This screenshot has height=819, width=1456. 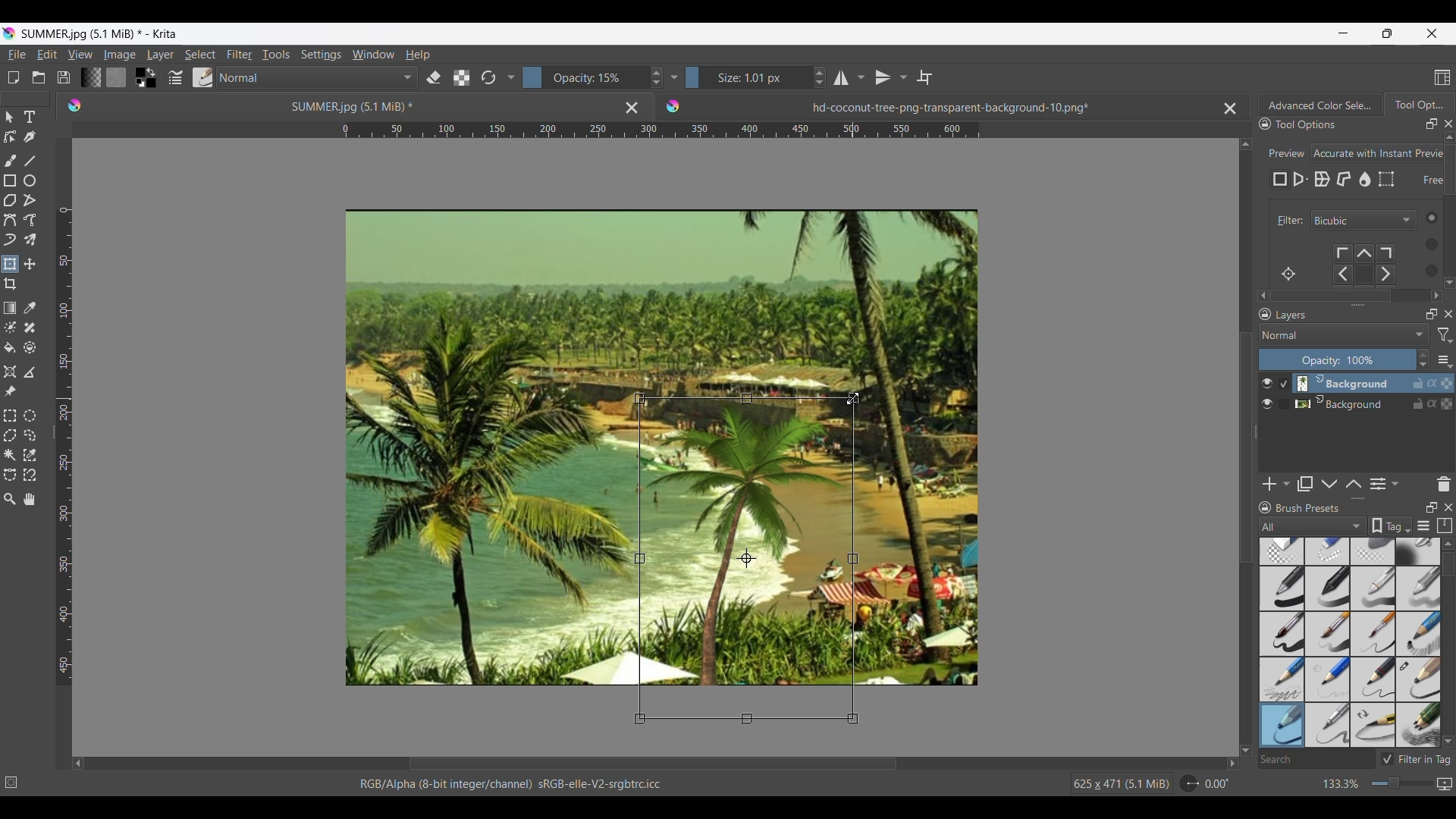 What do you see at coordinates (1345, 402) in the screenshot?
I see `Background` at bounding box center [1345, 402].